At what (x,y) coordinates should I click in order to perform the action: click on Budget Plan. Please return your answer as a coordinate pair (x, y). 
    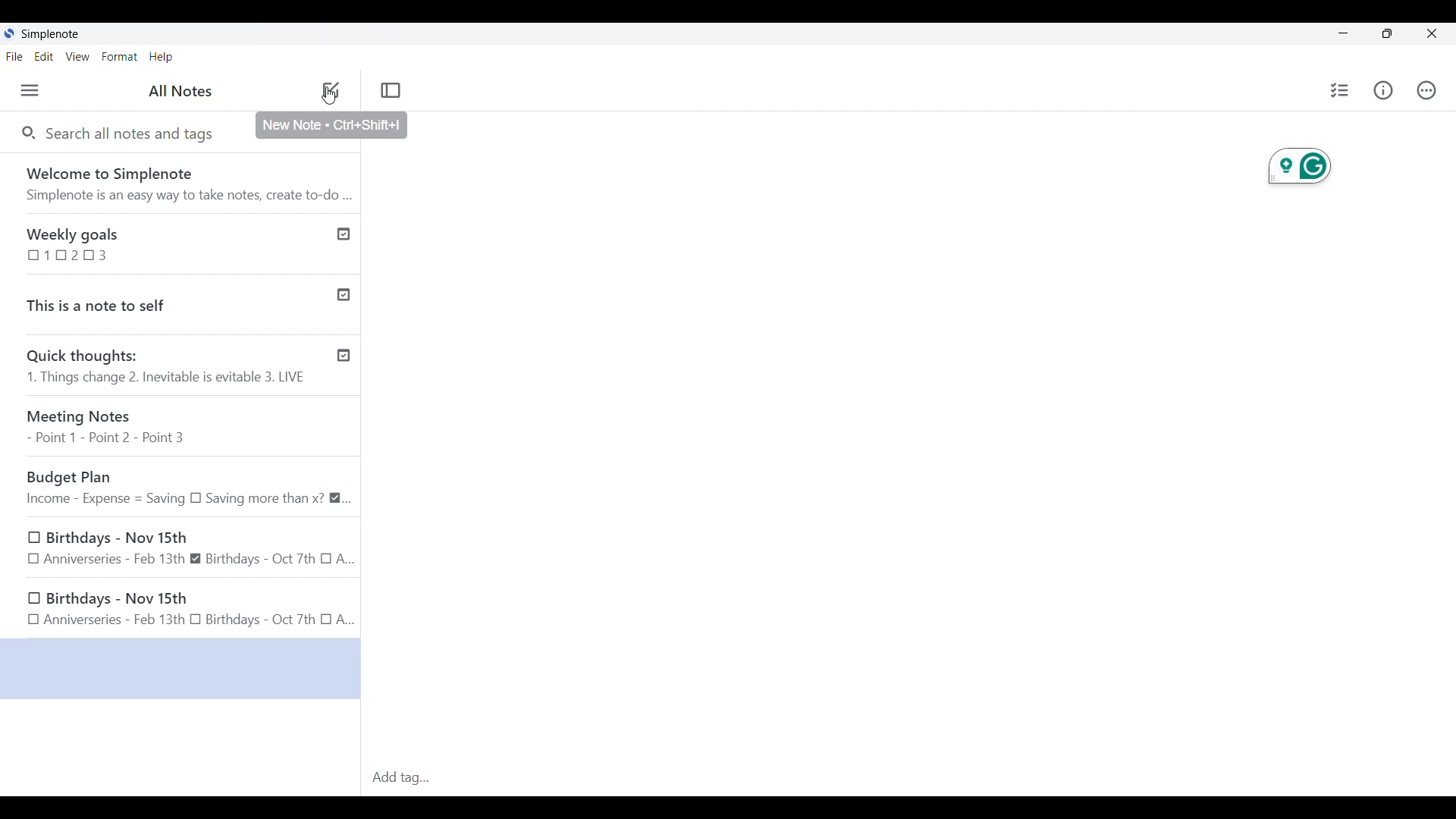
    Looking at the image, I should click on (188, 488).